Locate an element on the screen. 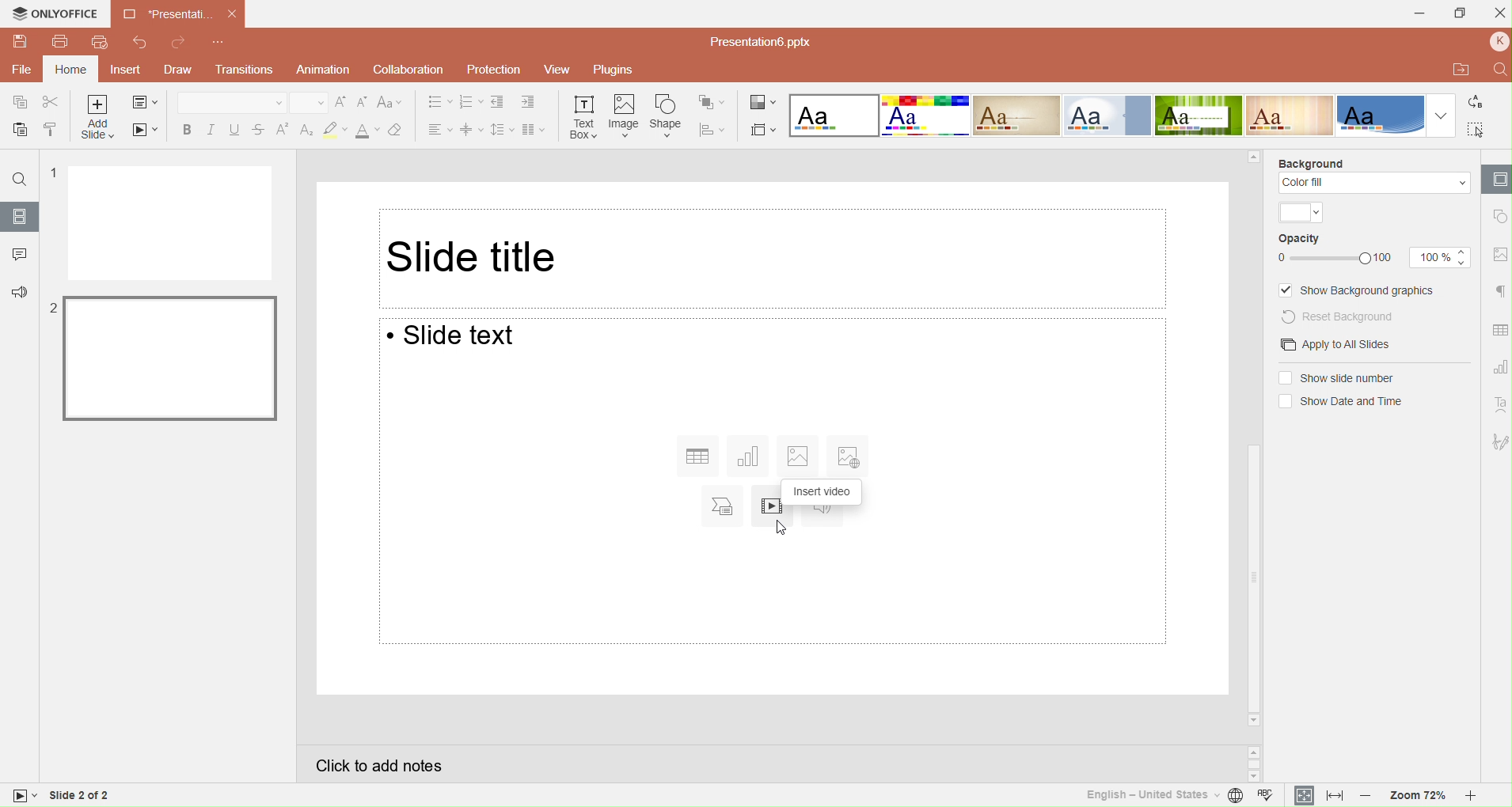 This screenshot has width=1512, height=807. Italic is located at coordinates (211, 128).